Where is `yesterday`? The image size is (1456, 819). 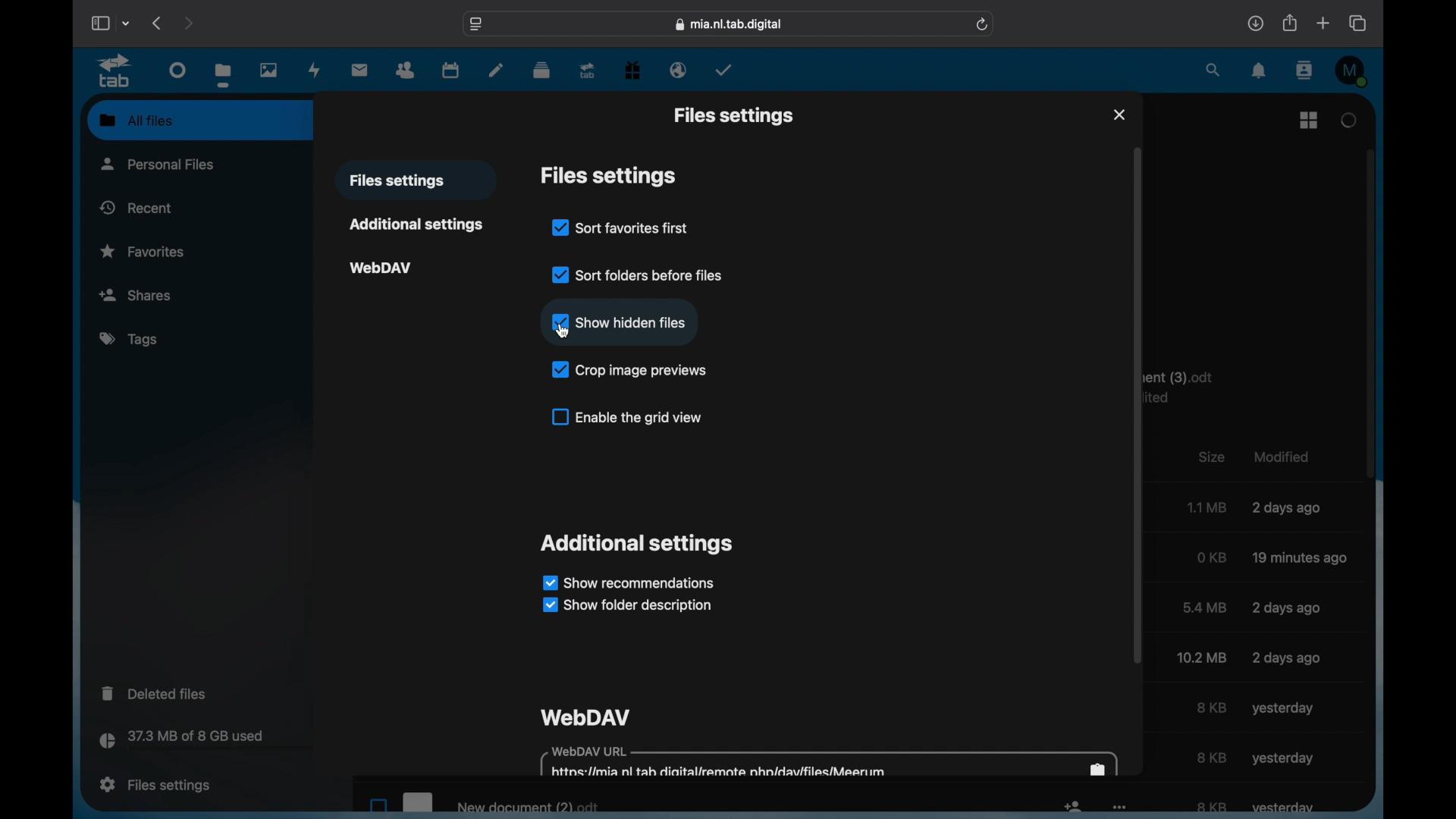 yesterday is located at coordinates (1284, 808).